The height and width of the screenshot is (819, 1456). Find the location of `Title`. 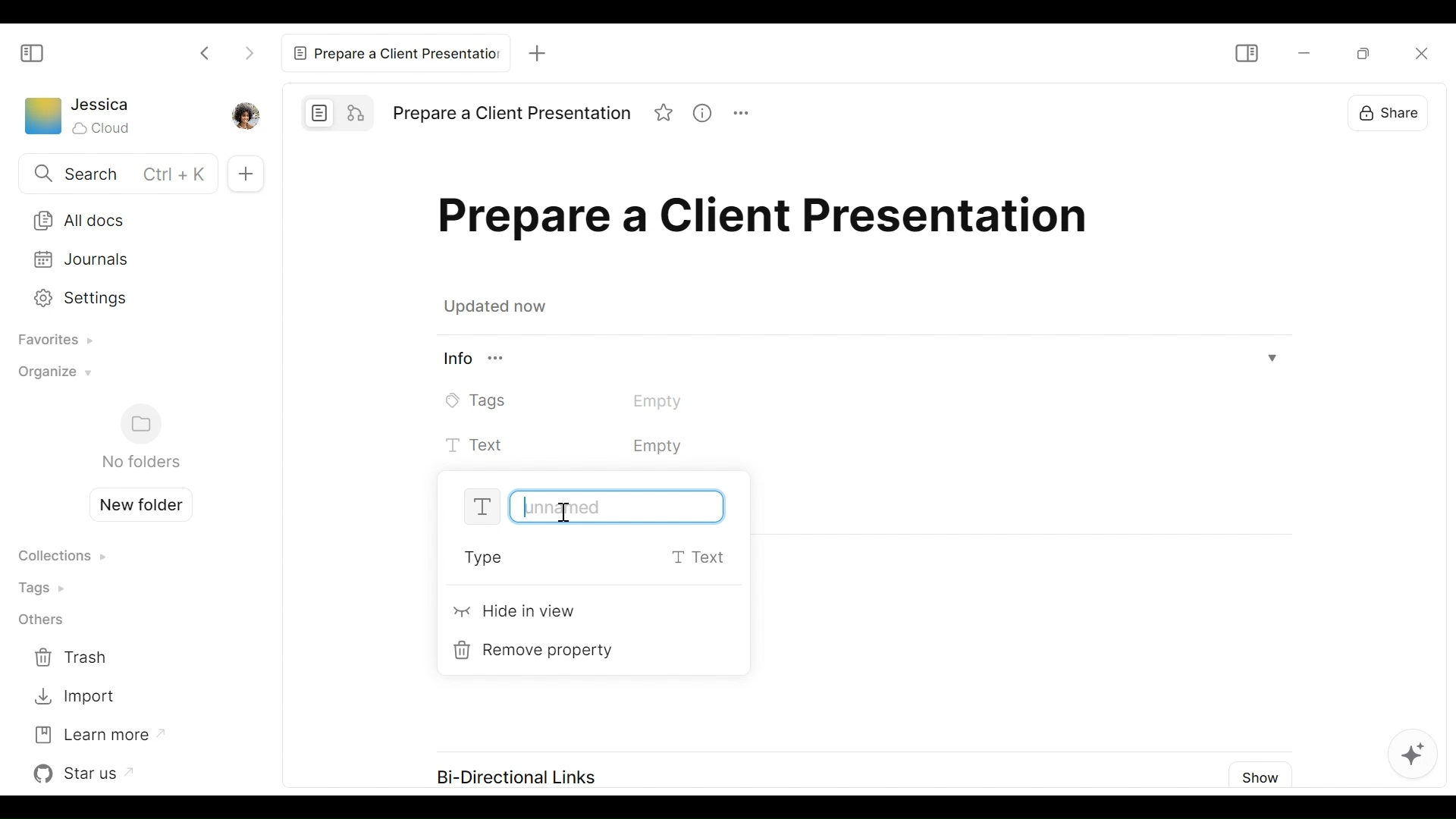

Title is located at coordinates (511, 114).